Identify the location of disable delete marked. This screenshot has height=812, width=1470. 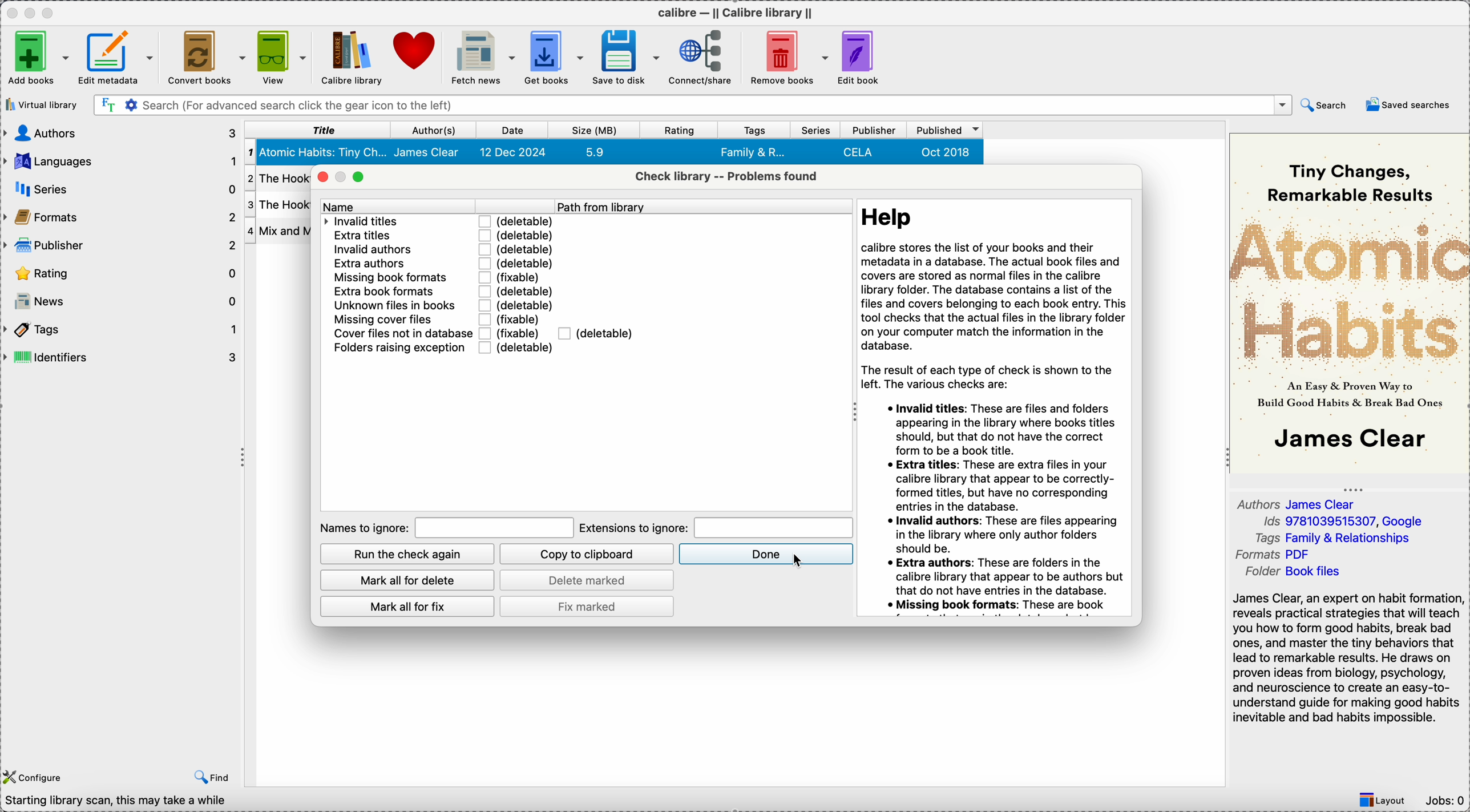
(589, 579).